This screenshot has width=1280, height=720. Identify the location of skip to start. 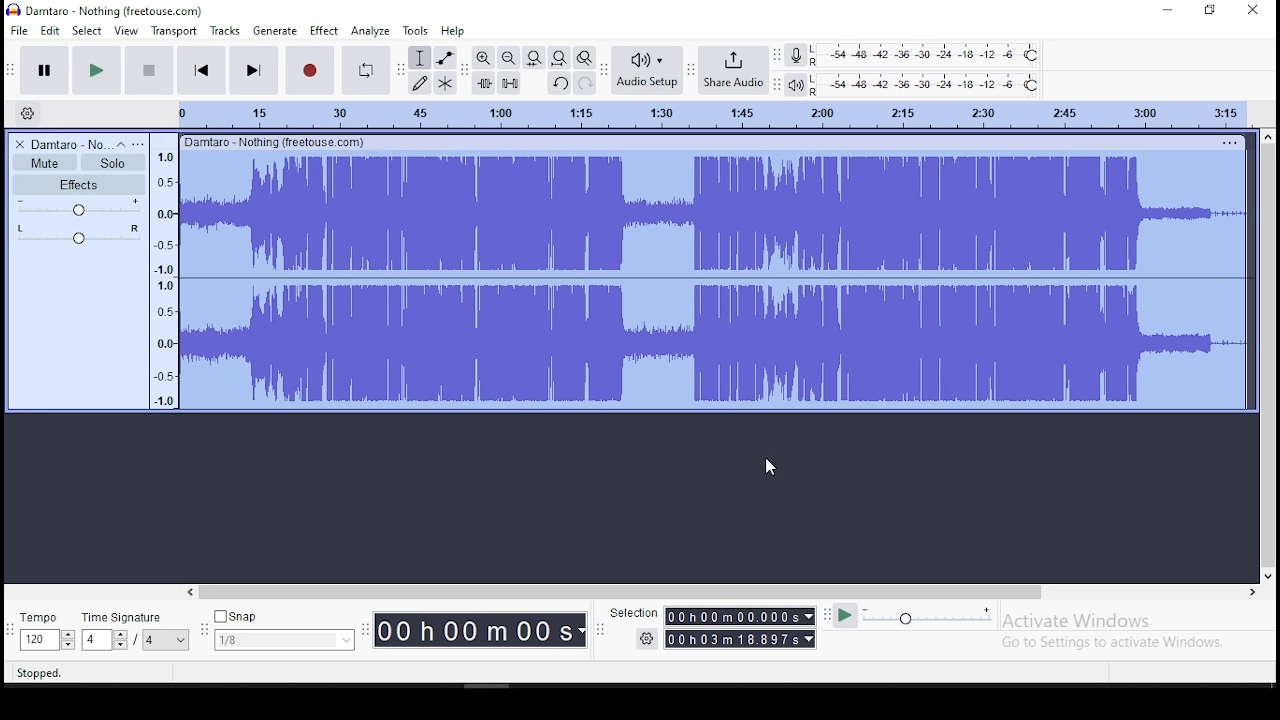
(202, 70).